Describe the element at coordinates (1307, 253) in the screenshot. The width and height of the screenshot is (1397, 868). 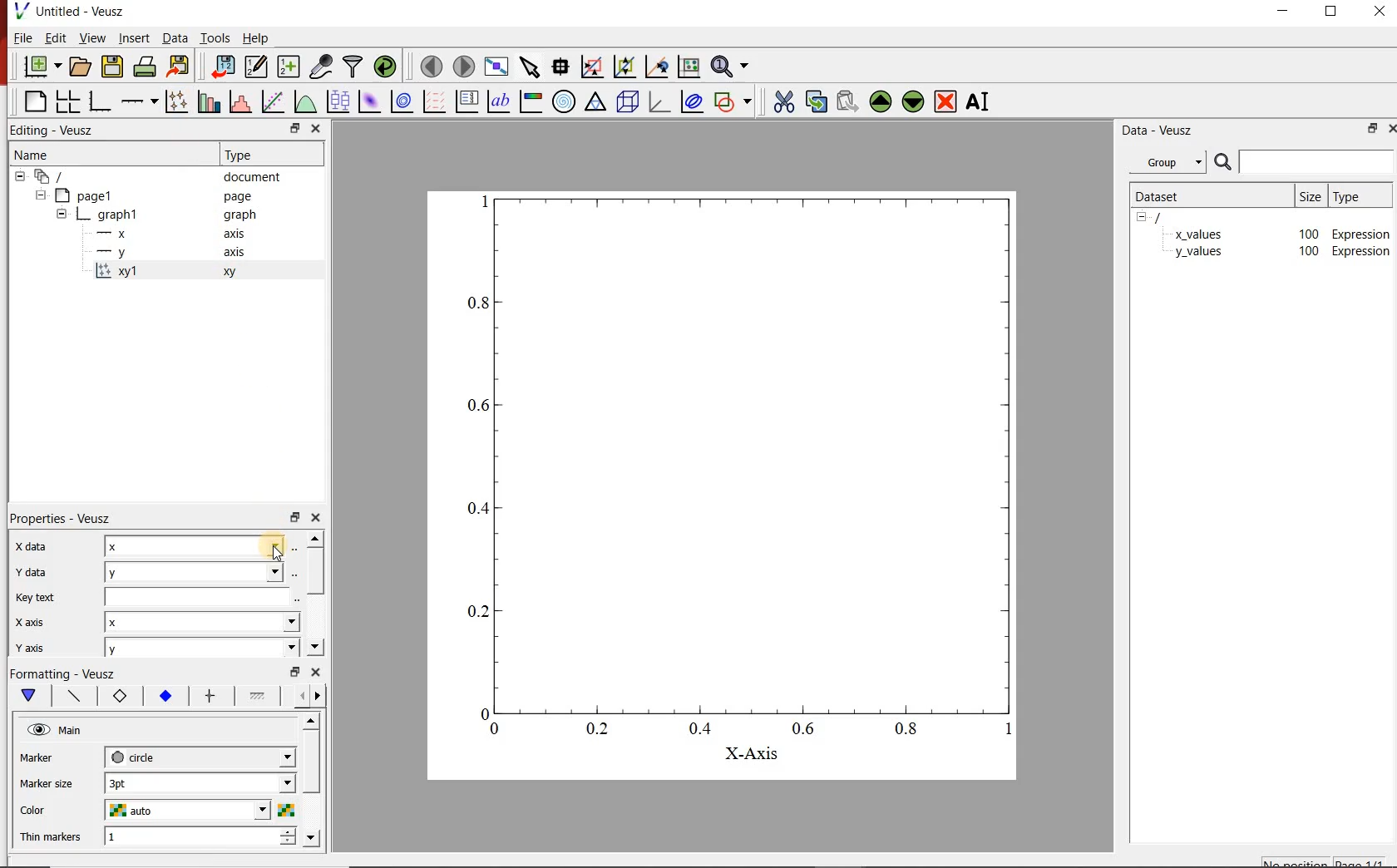
I see `100` at that location.